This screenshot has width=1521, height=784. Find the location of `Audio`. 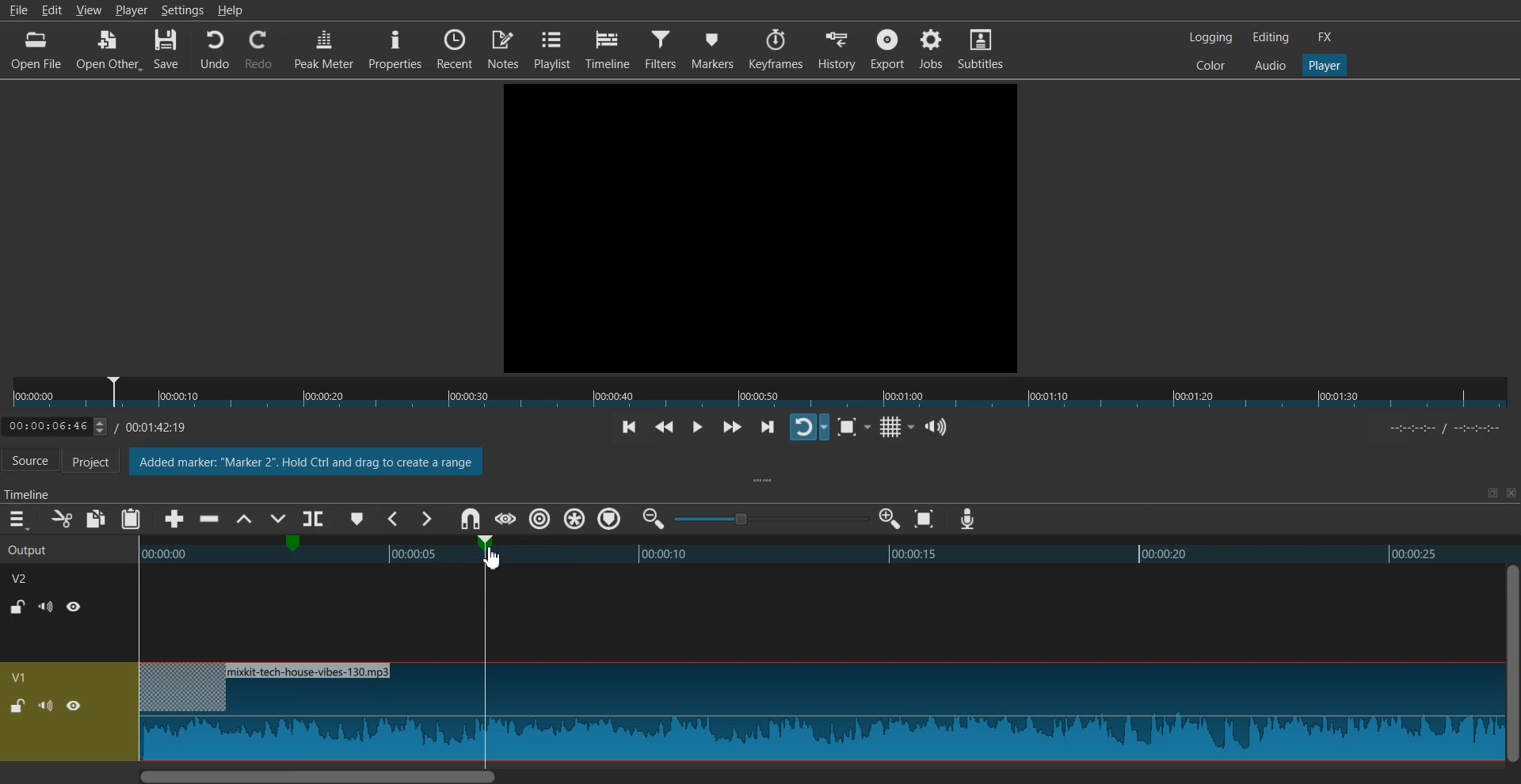

Audio is located at coordinates (1270, 64).